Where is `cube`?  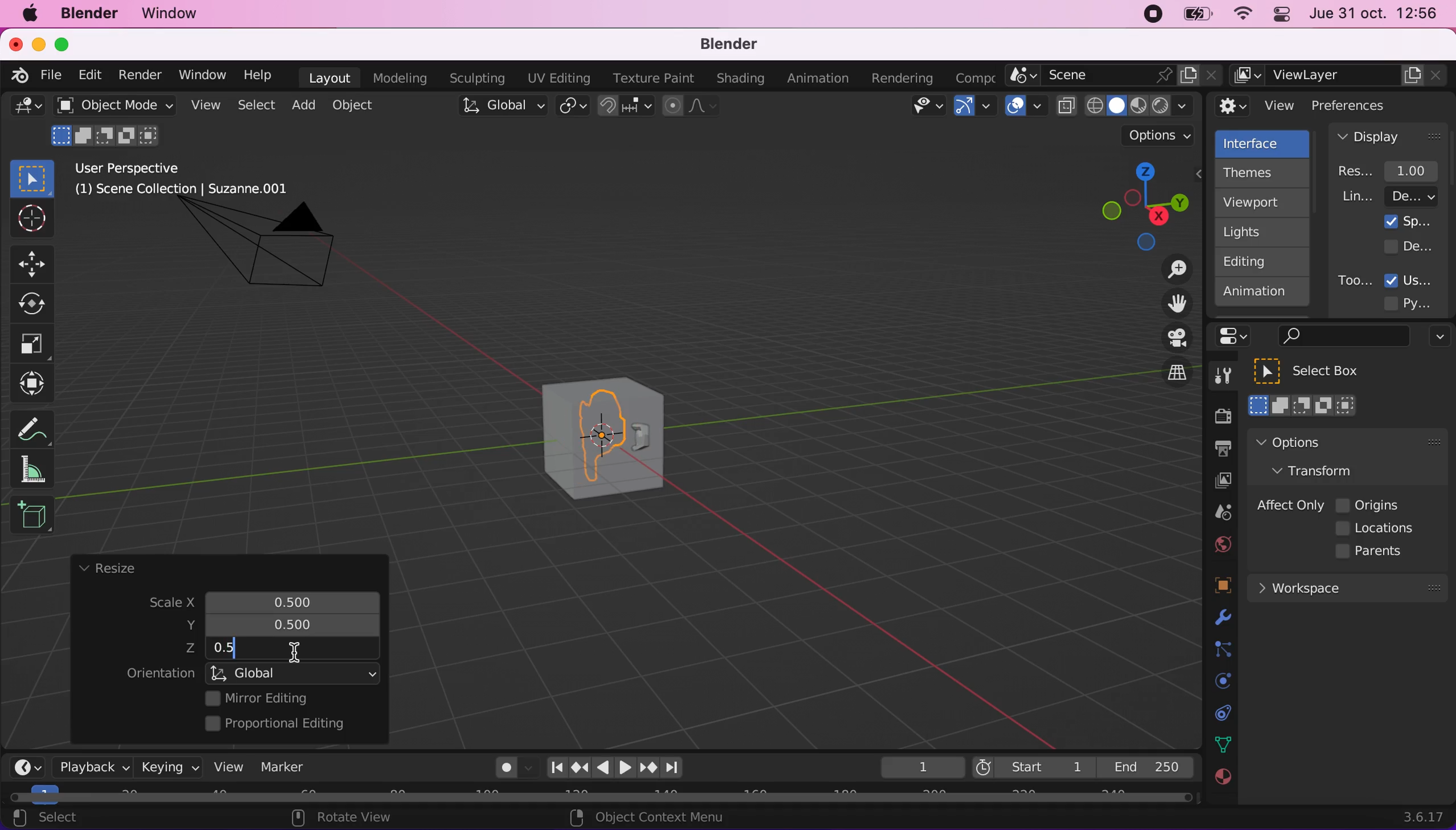 cube is located at coordinates (605, 433).